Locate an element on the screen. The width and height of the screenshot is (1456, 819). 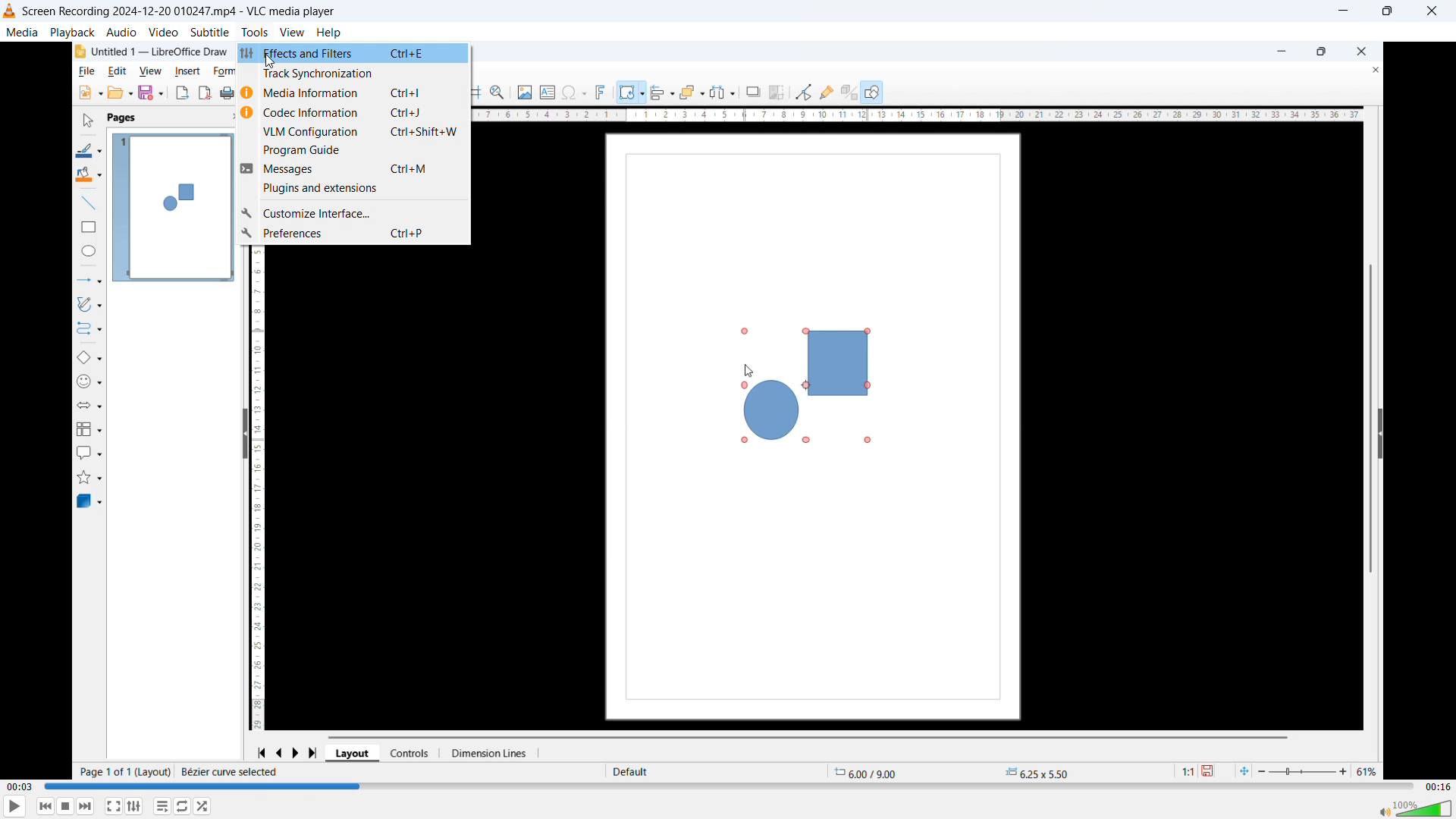
Stop playback  is located at coordinates (66, 806).